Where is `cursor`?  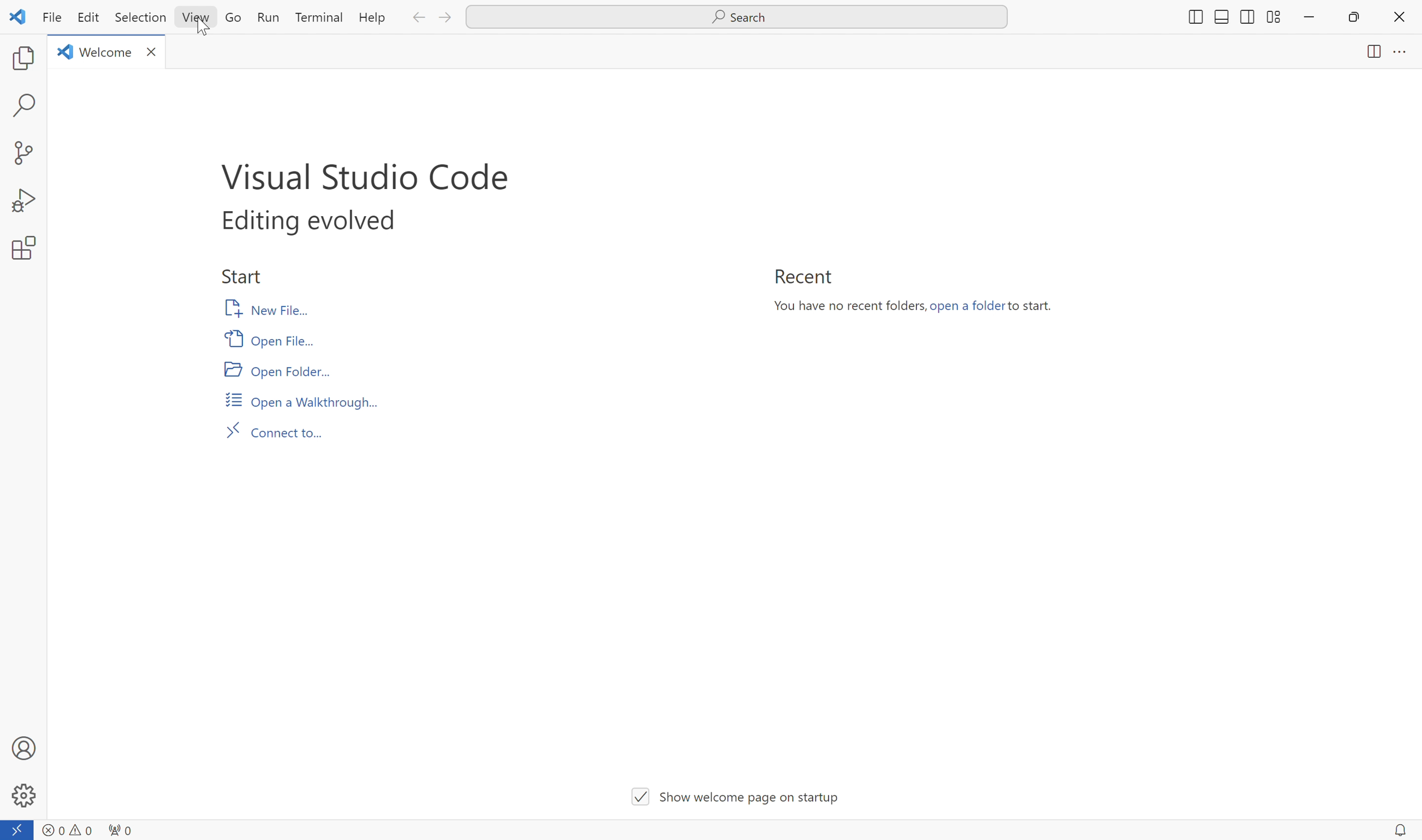
cursor is located at coordinates (712, 379).